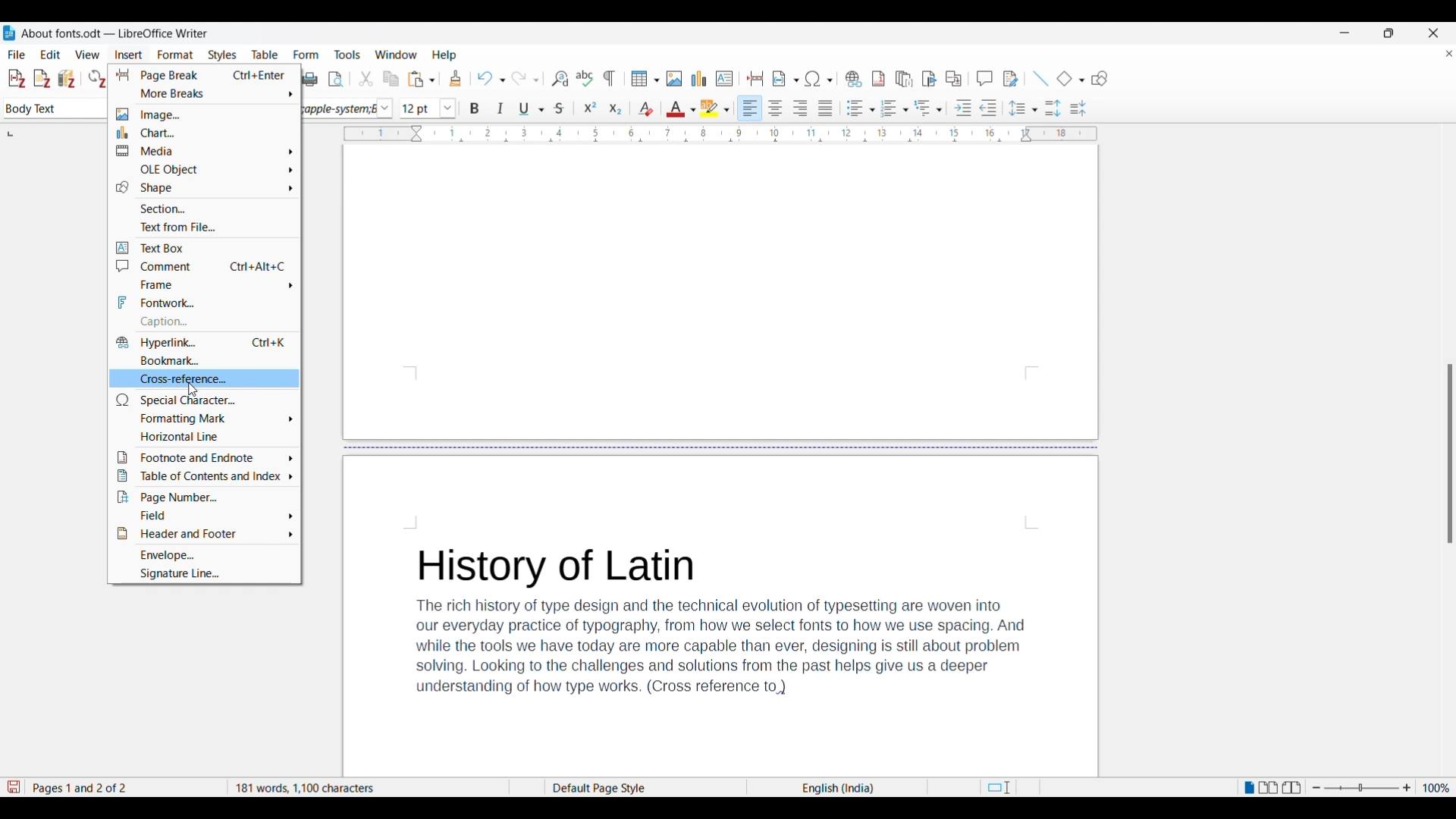  I want to click on Add/Edit citation, so click(16, 79).